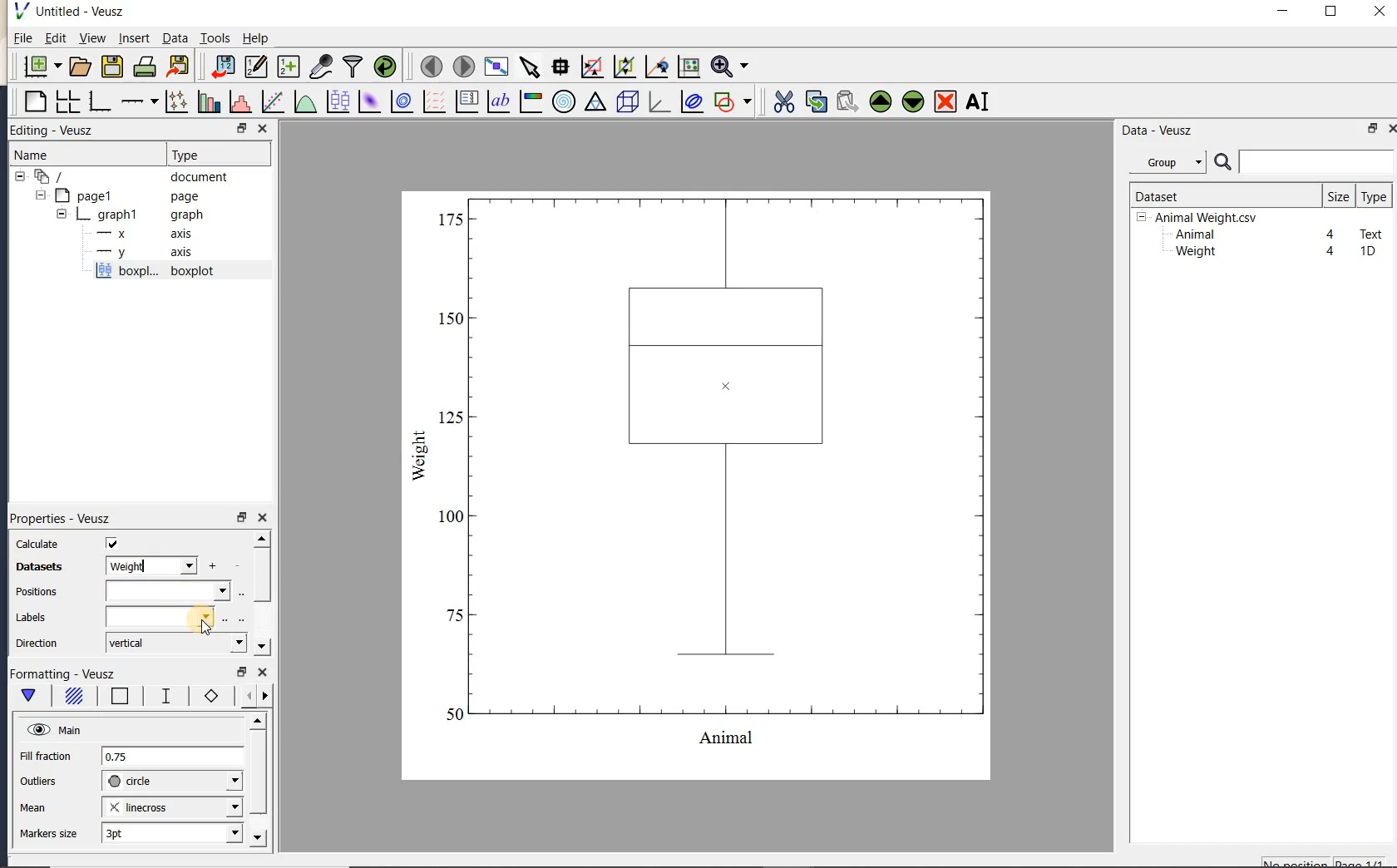  What do you see at coordinates (881, 102) in the screenshot?
I see `move the selected widget up` at bounding box center [881, 102].